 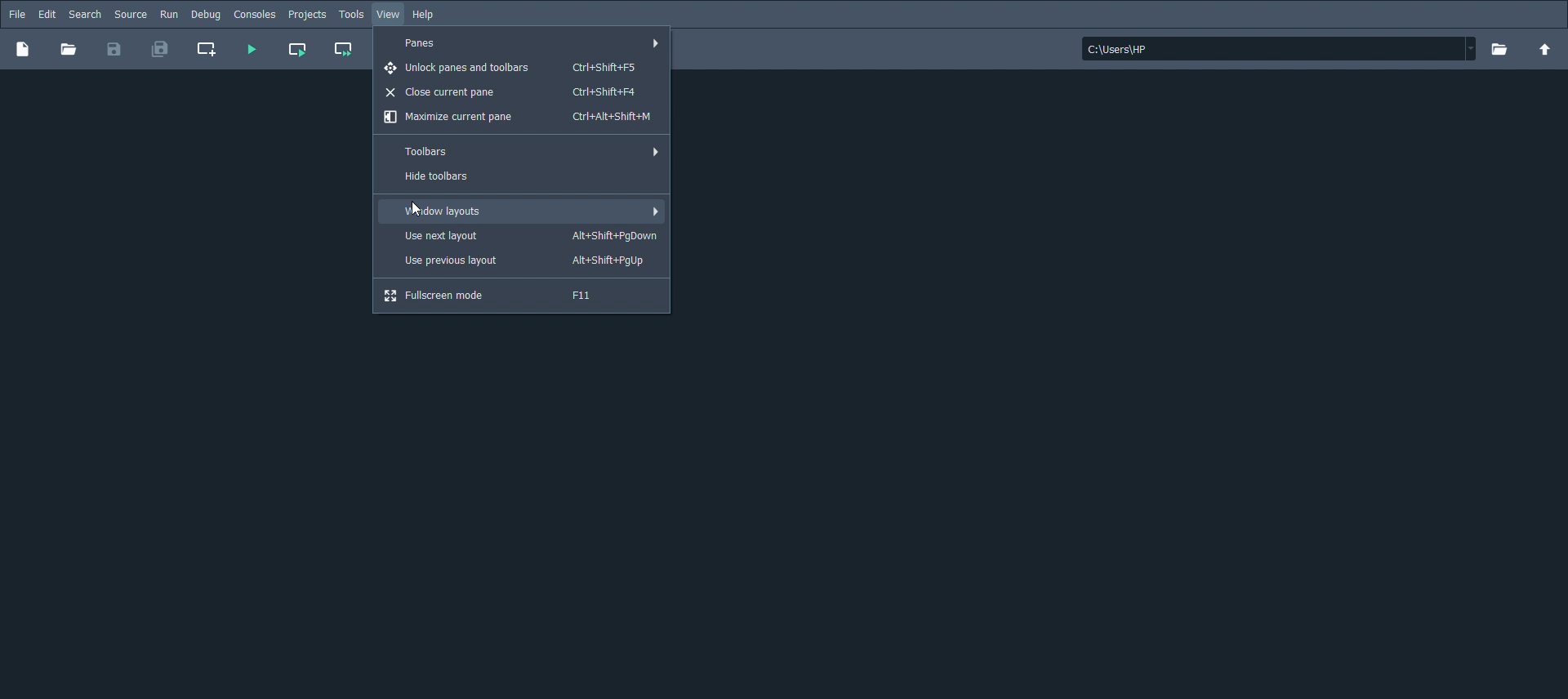 I want to click on Run , so click(x=168, y=14).